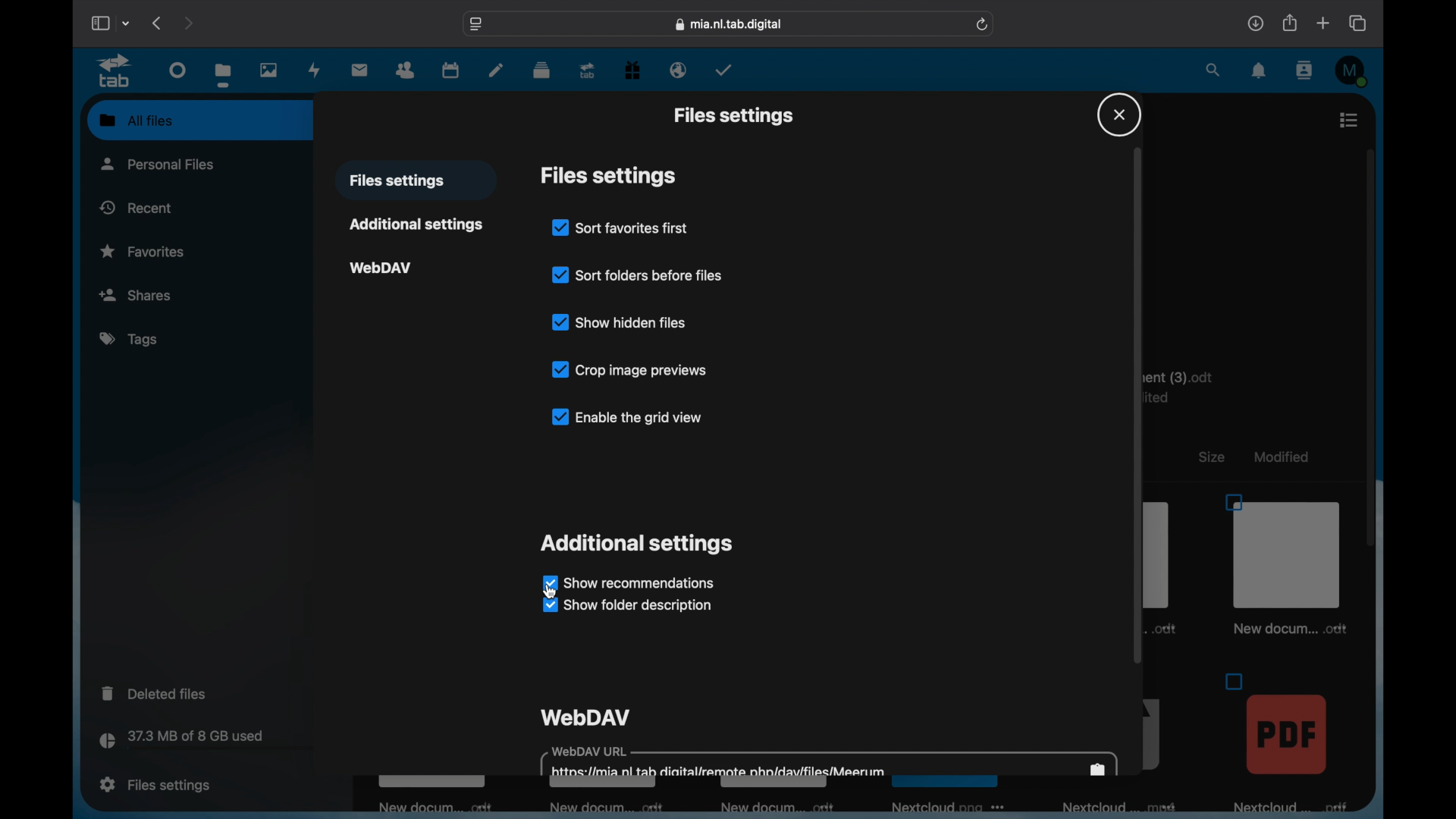 The width and height of the screenshot is (1456, 819). Describe the element at coordinates (1259, 71) in the screenshot. I see `notifications` at that location.